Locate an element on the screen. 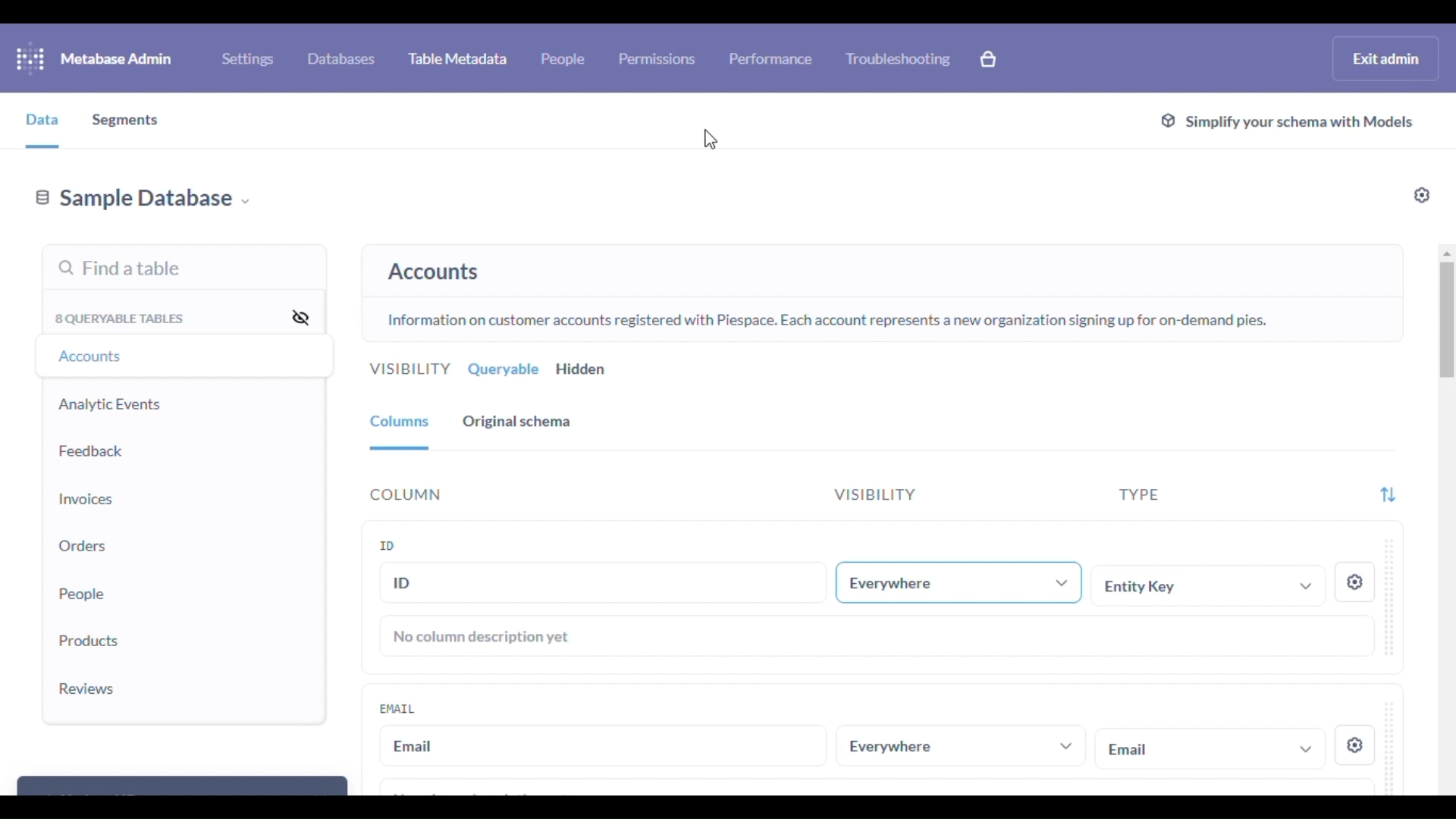 Image resolution: width=1456 pixels, height=819 pixels. accounts is located at coordinates (94, 356).